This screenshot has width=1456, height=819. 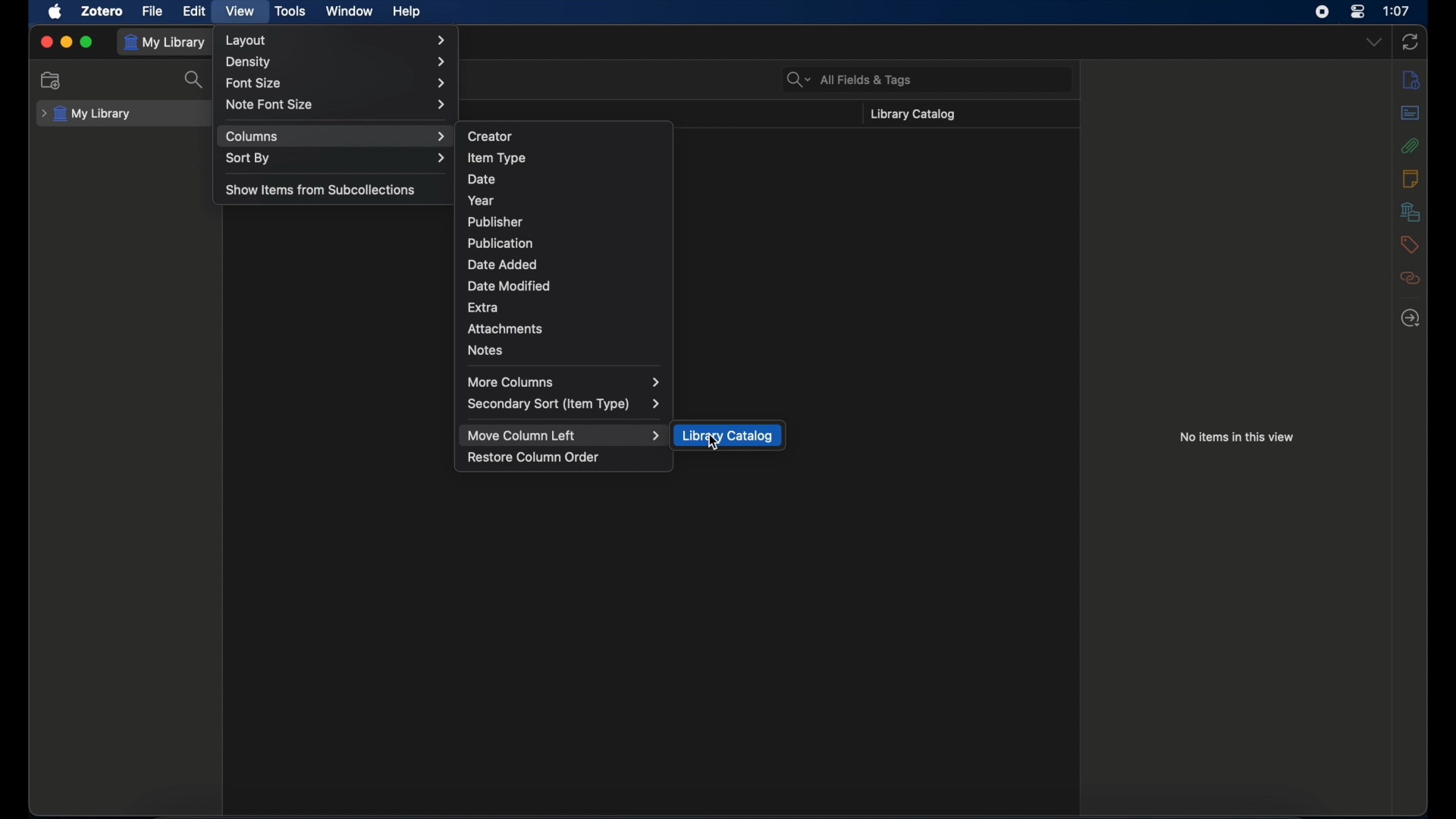 I want to click on tools, so click(x=290, y=11).